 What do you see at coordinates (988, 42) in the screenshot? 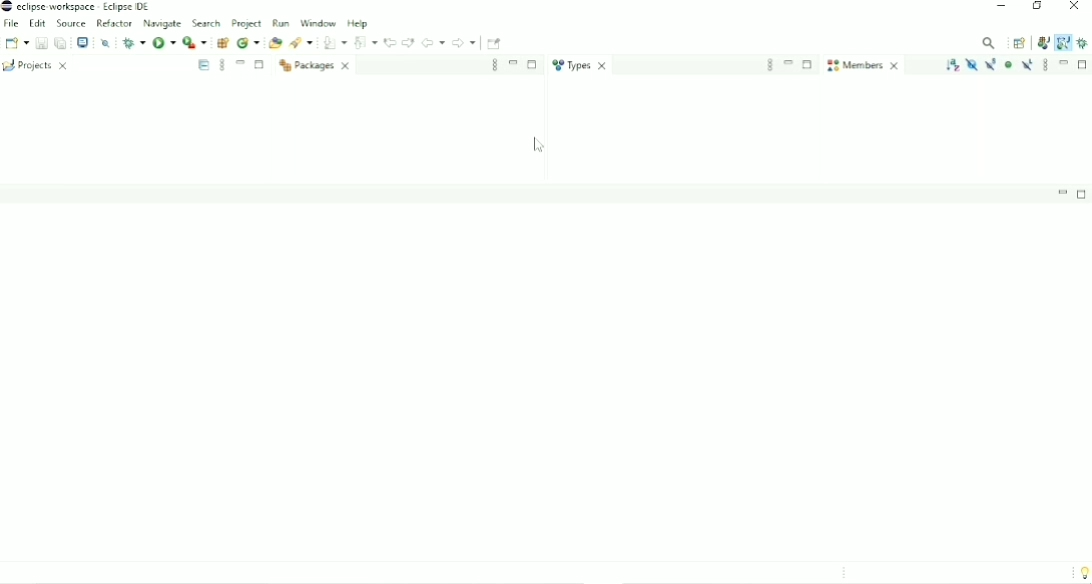
I see `Access commands and other items` at bounding box center [988, 42].